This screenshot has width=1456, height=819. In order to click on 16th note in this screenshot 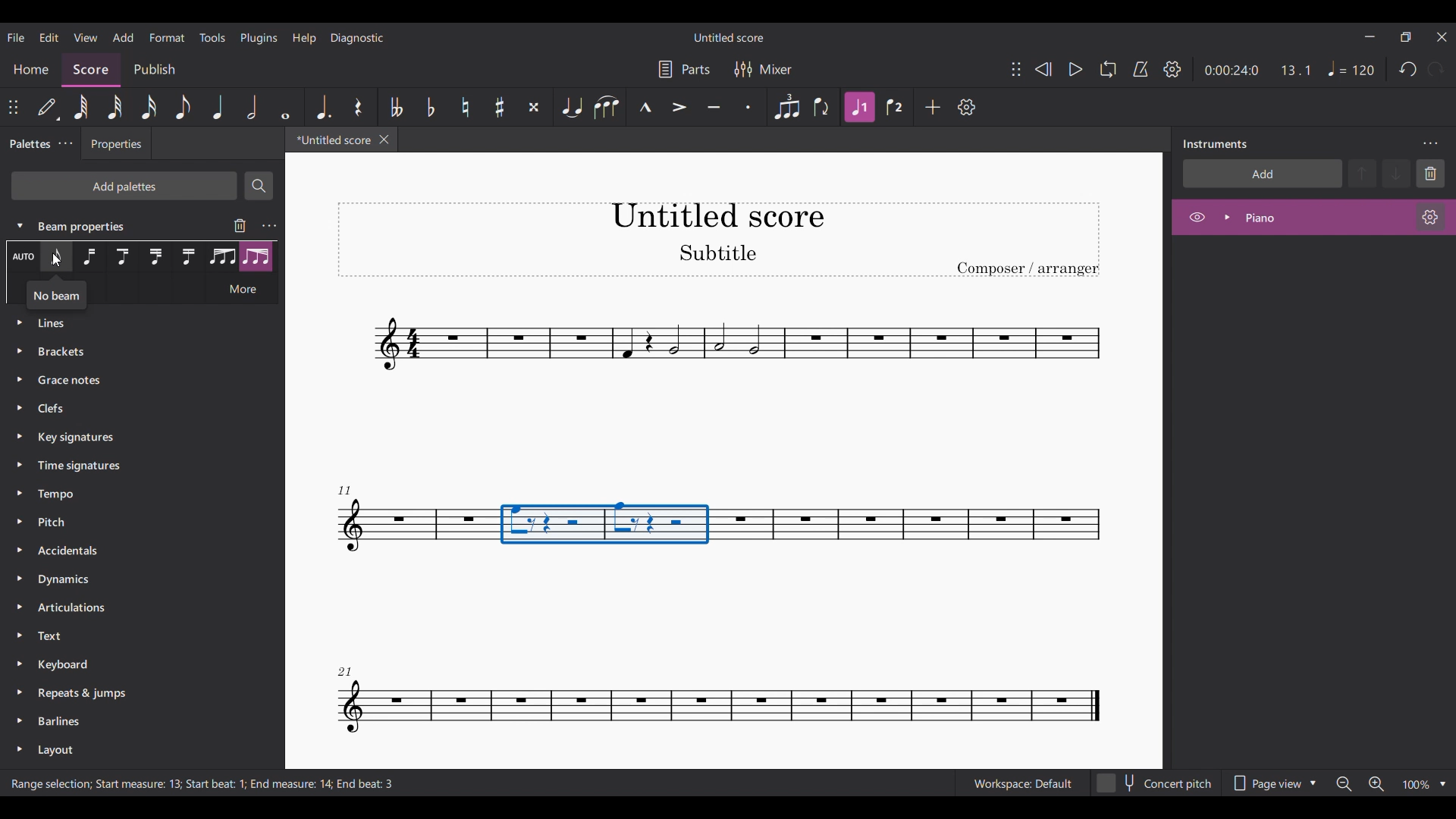, I will do `click(148, 107)`.